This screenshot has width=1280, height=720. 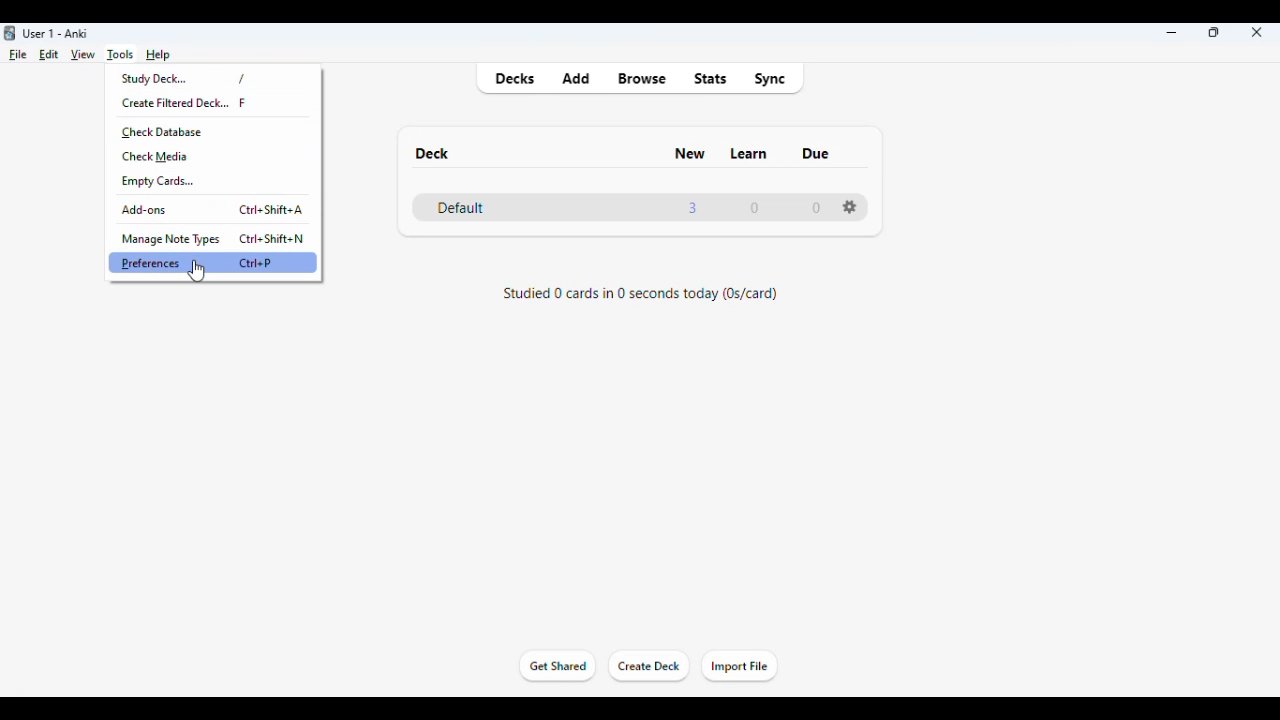 I want to click on studied 0 cards in 0 seconds today (0s/card), so click(x=642, y=293).